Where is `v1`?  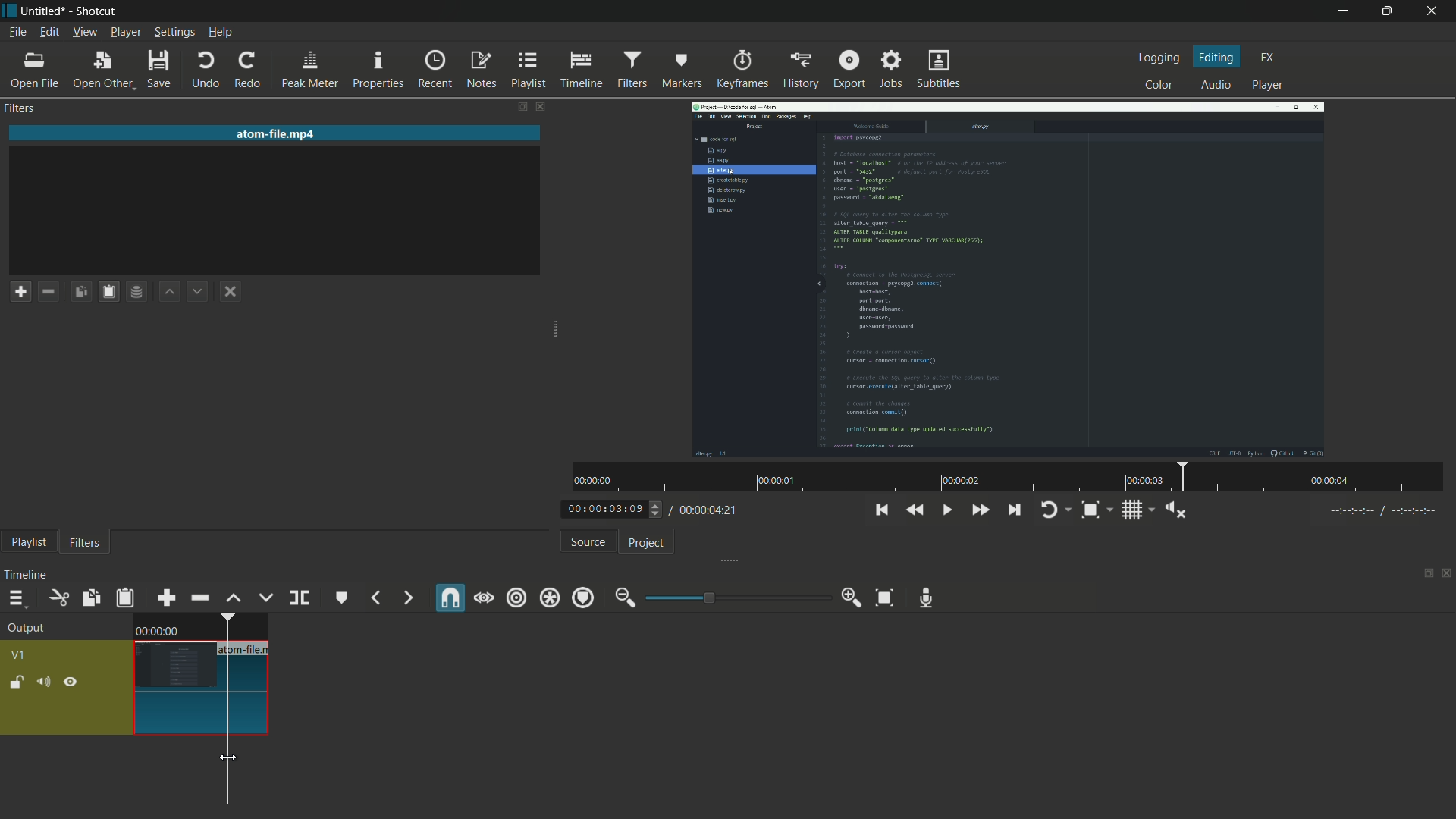
v1 is located at coordinates (20, 655).